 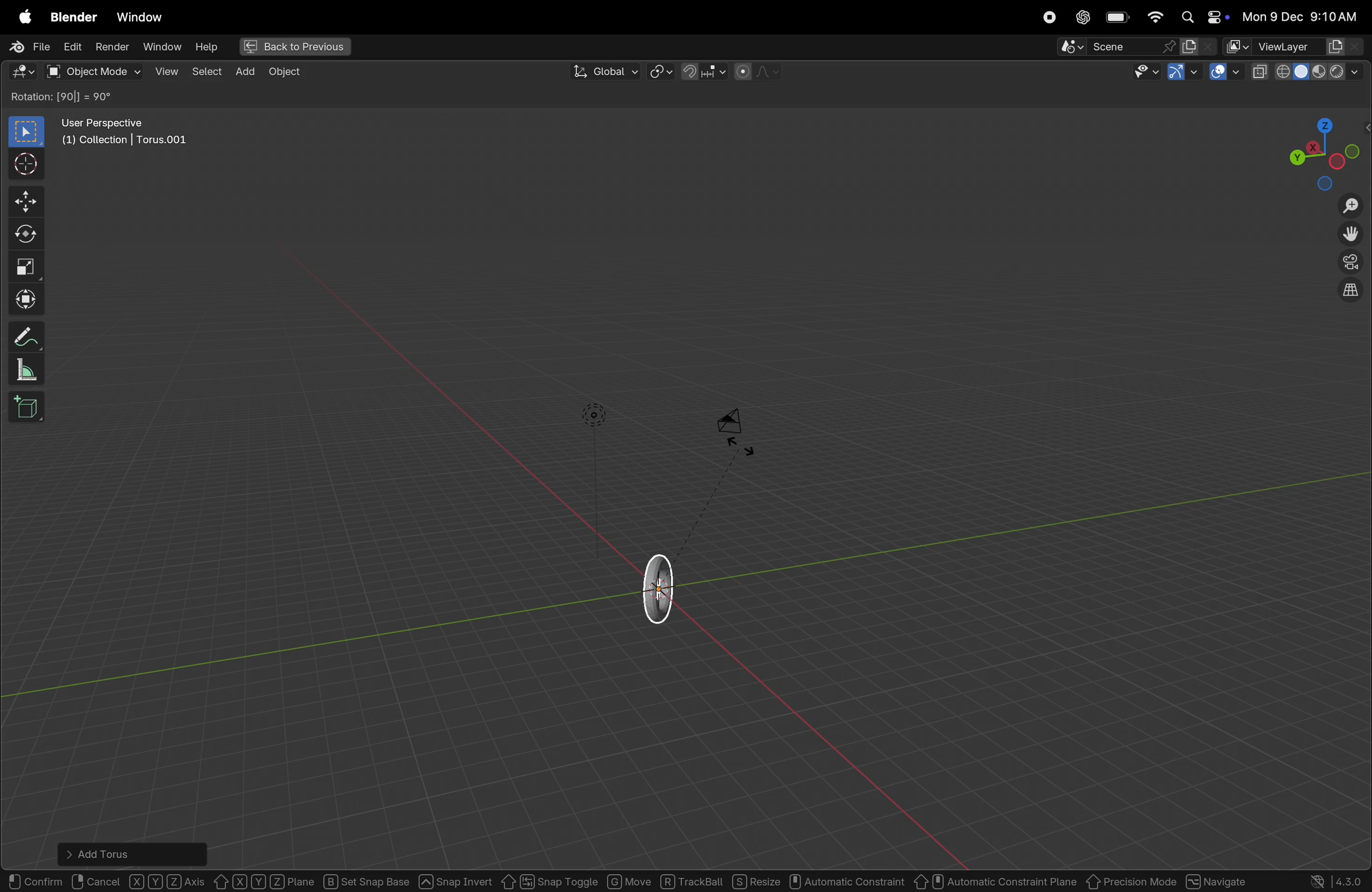 What do you see at coordinates (127, 134) in the screenshot?
I see `user perspectivr` at bounding box center [127, 134].